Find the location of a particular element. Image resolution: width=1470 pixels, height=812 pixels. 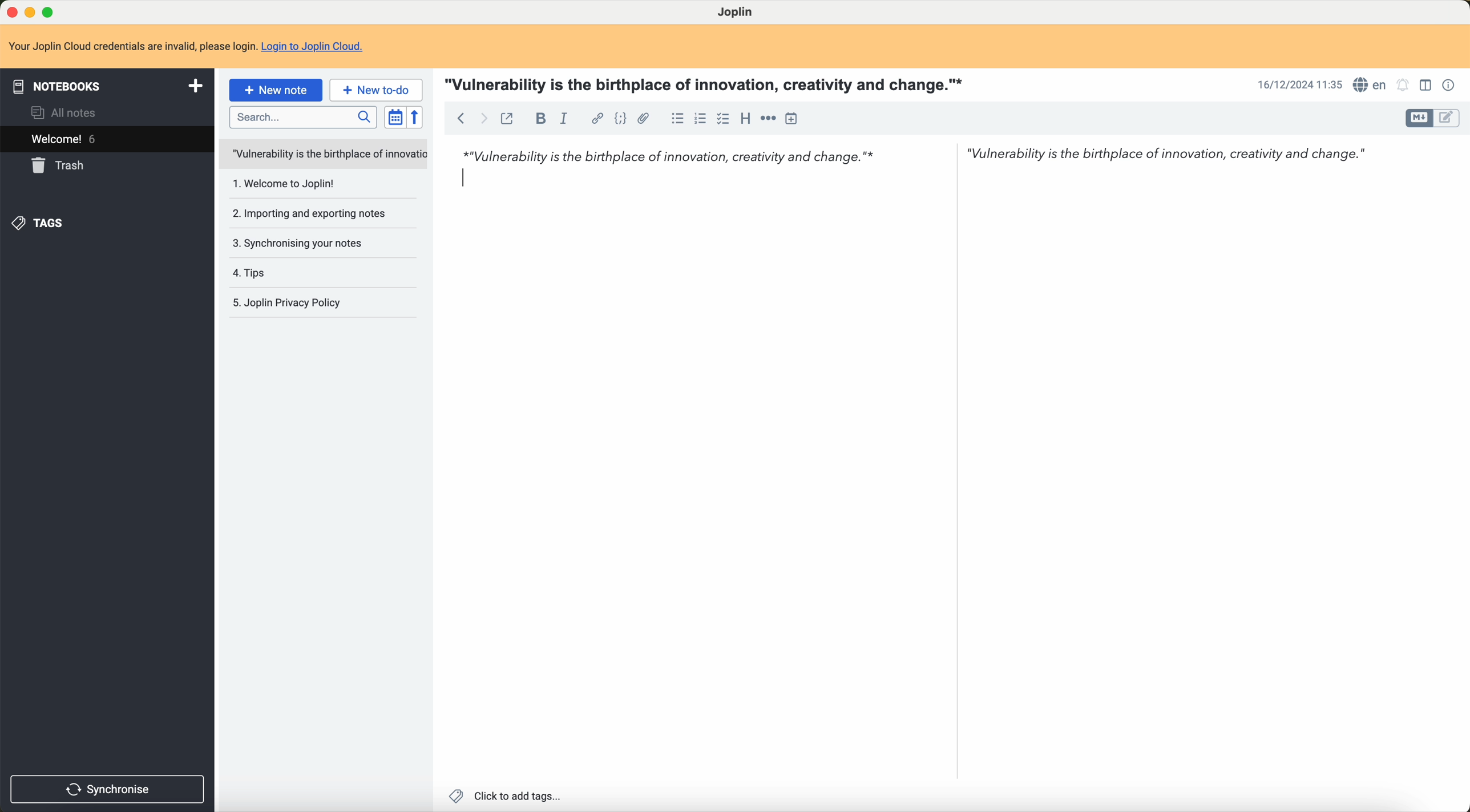

press enter is located at coordinates (463, 178).